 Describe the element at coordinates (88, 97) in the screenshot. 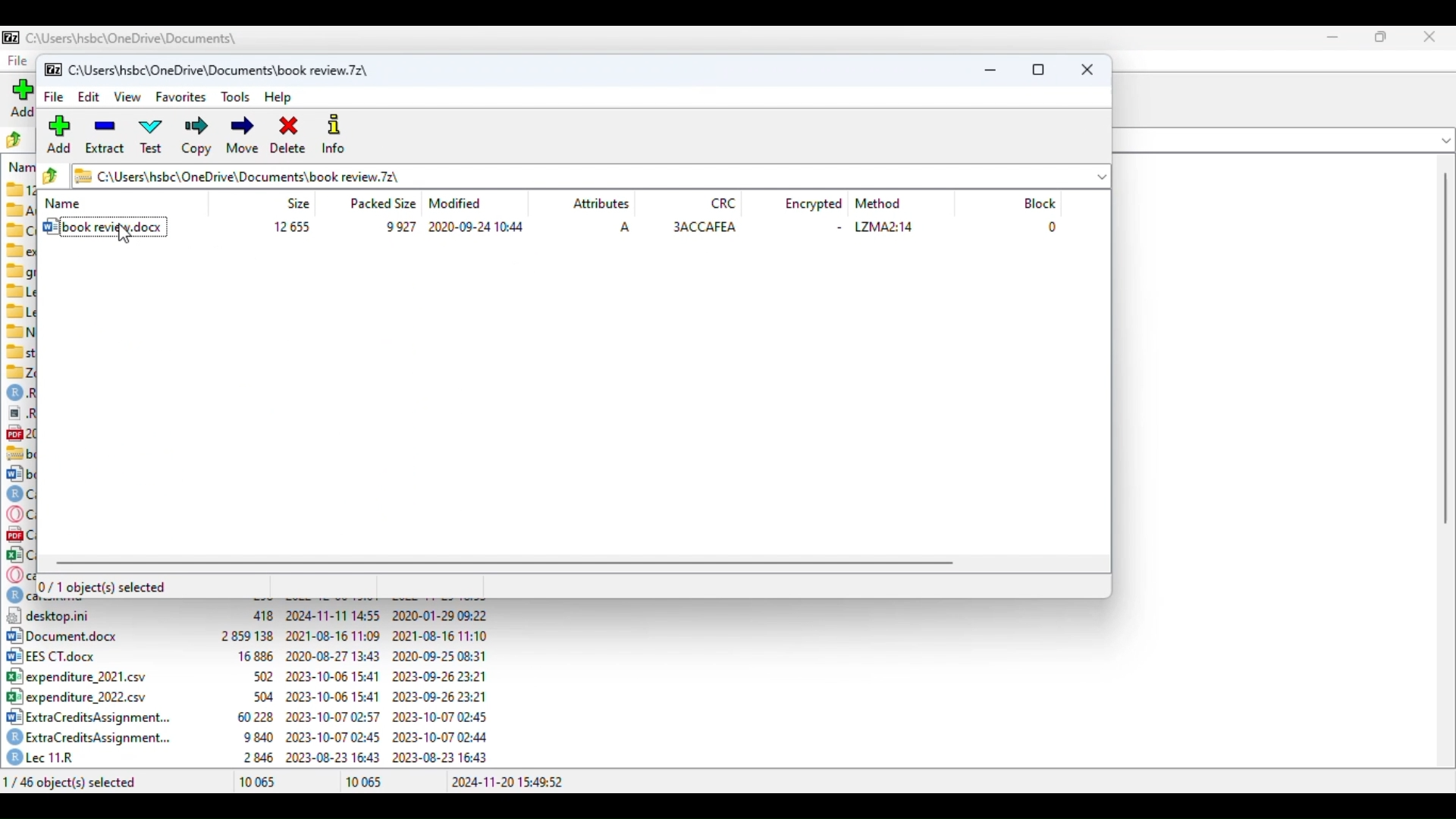

I see `edit` at that location.